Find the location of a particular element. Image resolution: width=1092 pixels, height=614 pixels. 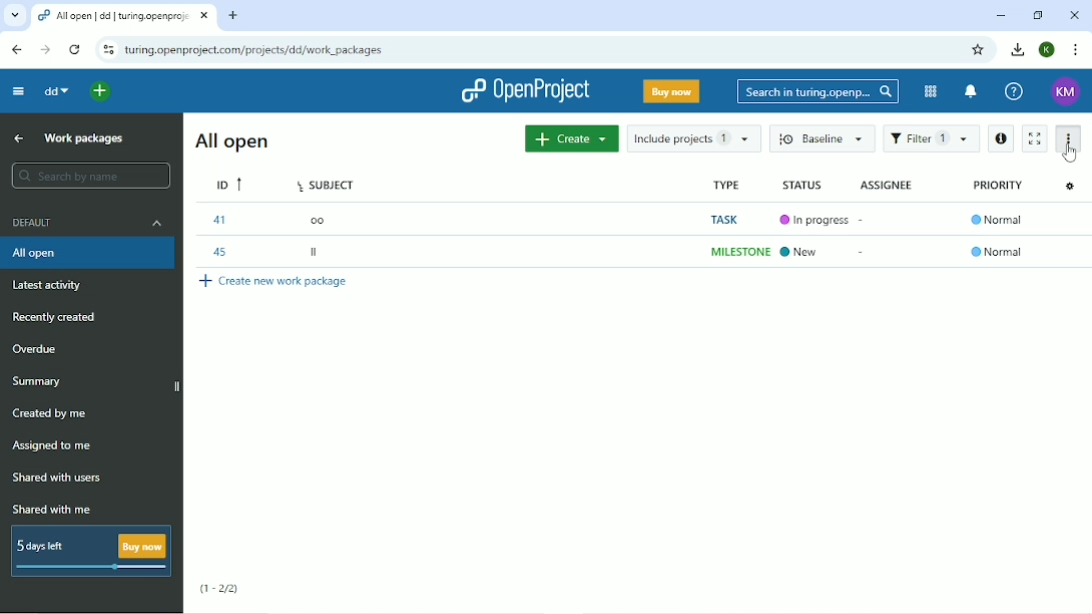

5 days left is located at coordinates (90, 551).